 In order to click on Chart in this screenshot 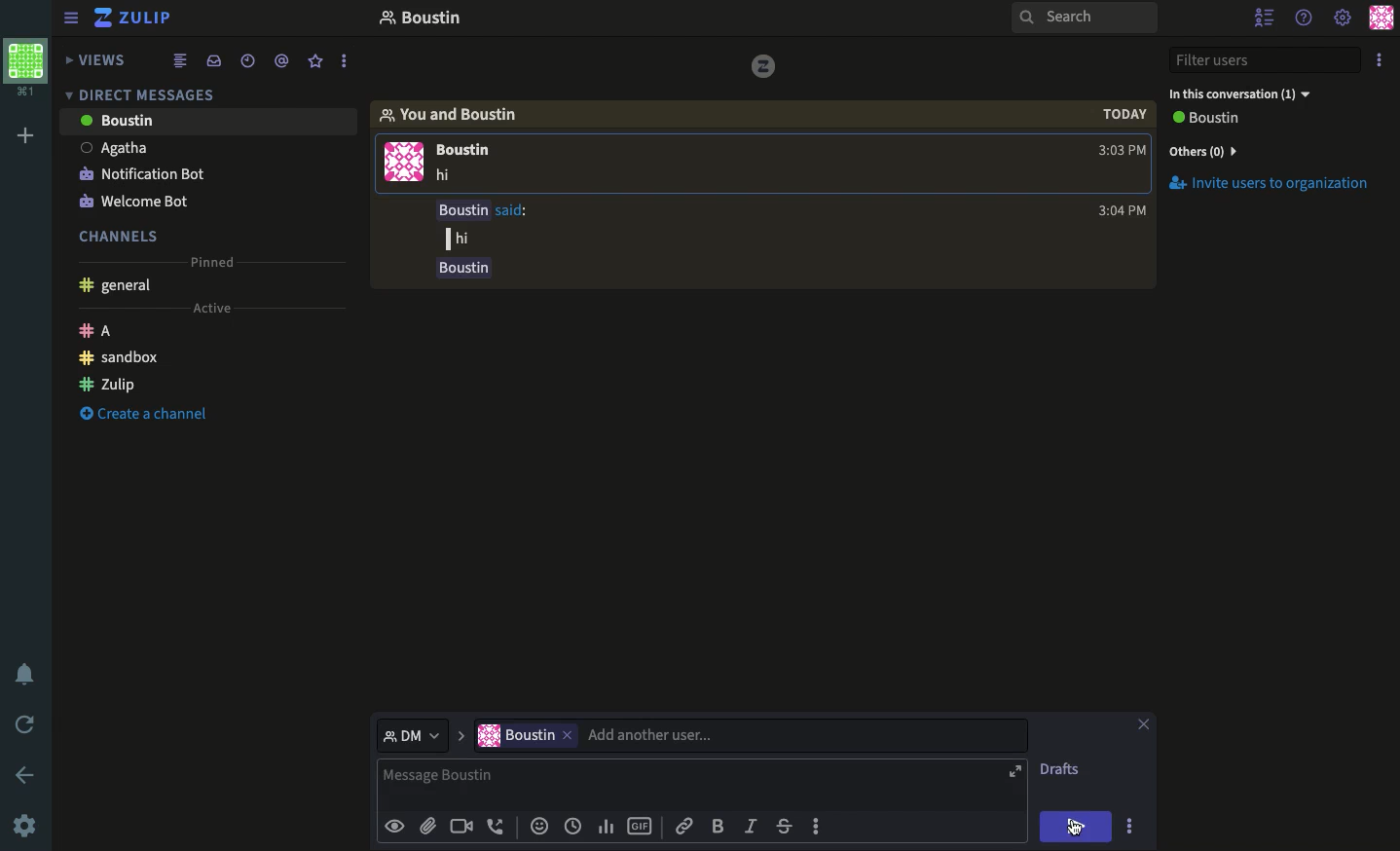, I will do `click(604, 825)`.